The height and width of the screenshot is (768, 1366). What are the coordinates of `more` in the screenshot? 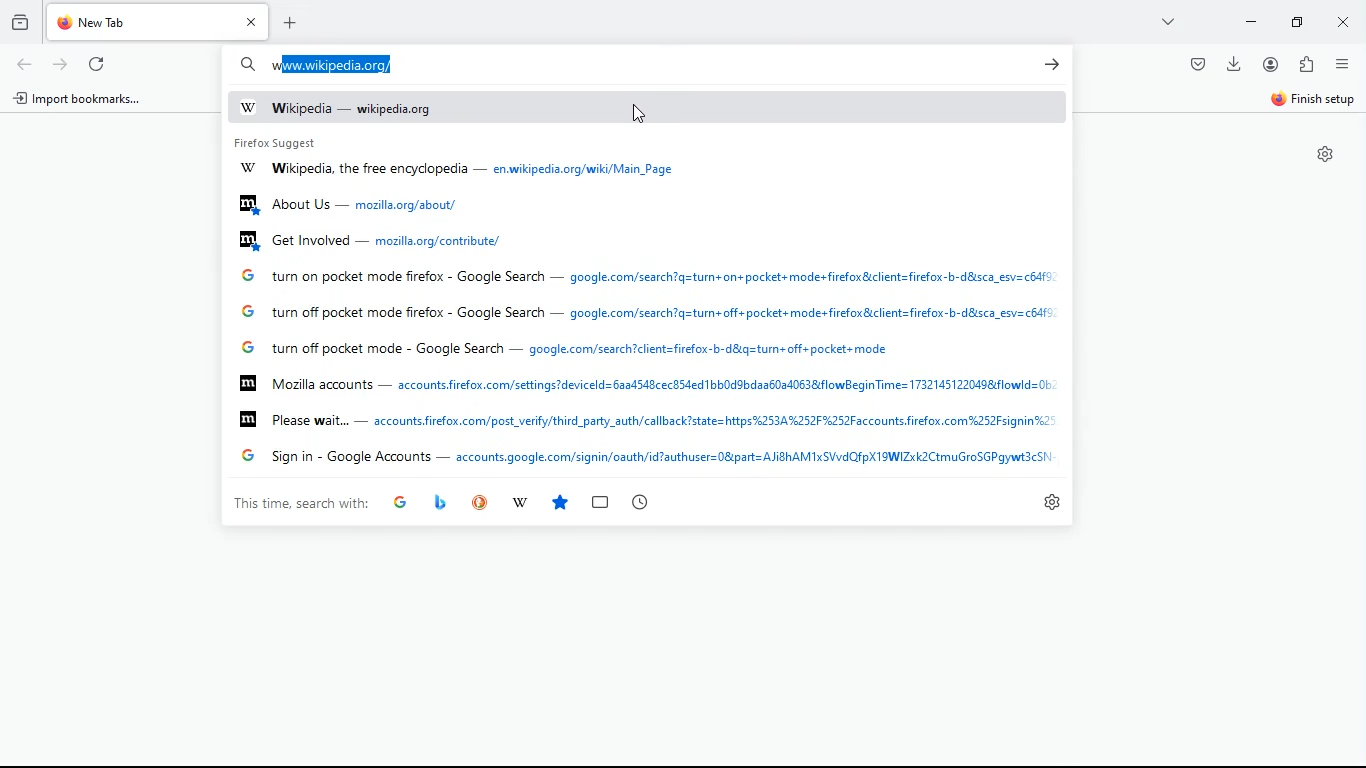 It's located at (1166, 22).